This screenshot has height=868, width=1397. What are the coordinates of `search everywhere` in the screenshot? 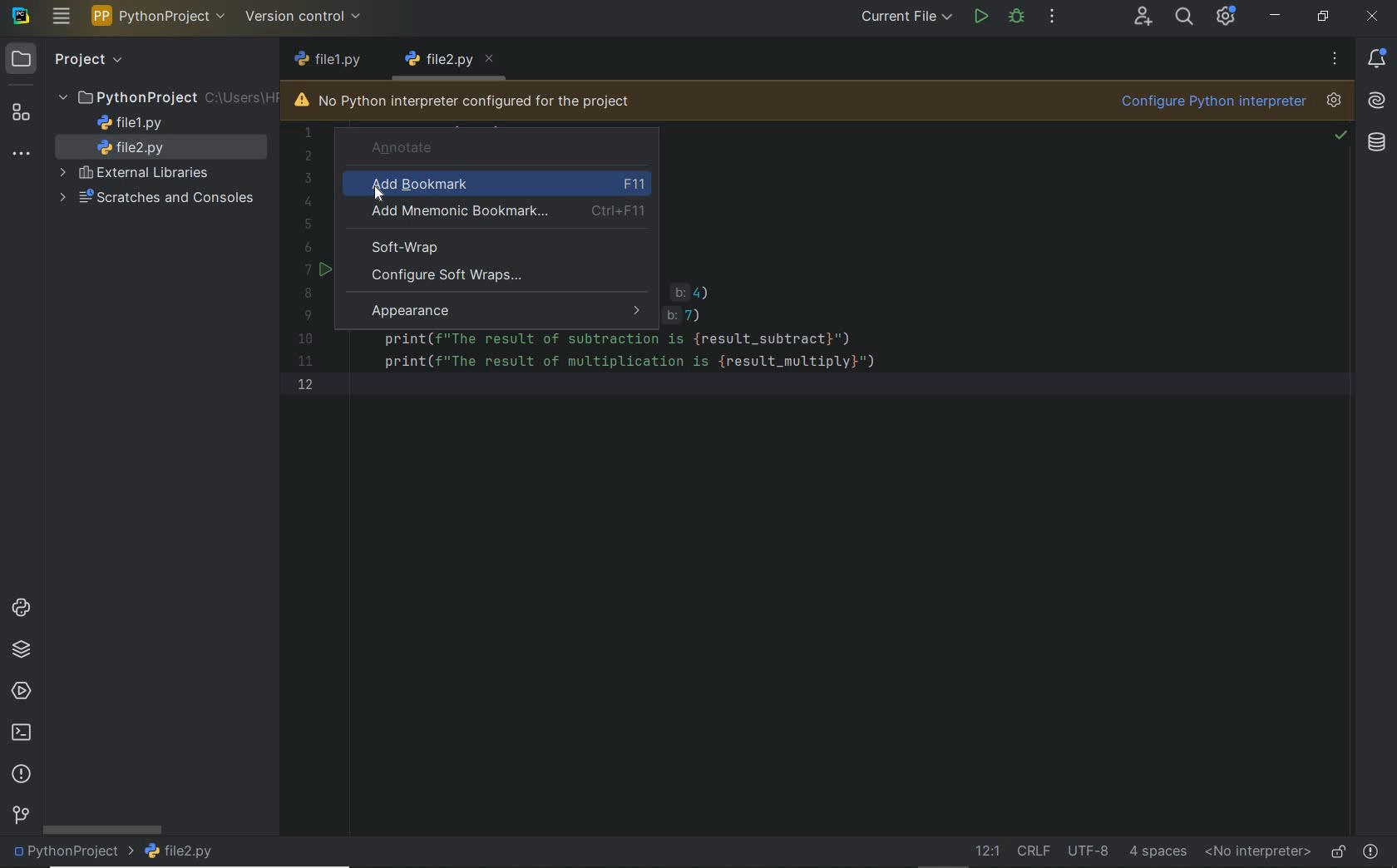 It's located at (1185, 19).